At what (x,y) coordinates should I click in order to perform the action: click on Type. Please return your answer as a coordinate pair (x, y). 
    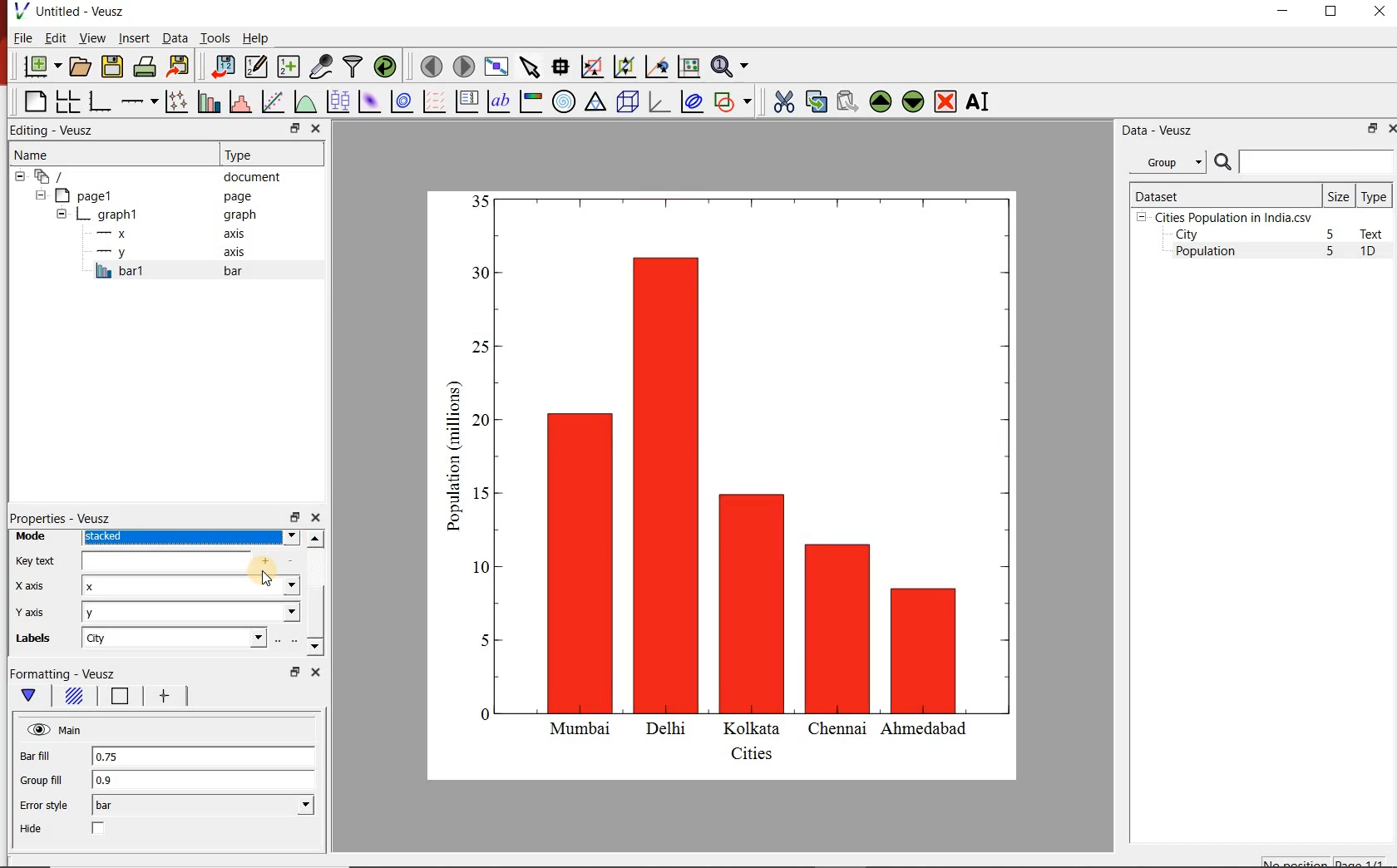
    Looking at the image, I should click on (269, 155).